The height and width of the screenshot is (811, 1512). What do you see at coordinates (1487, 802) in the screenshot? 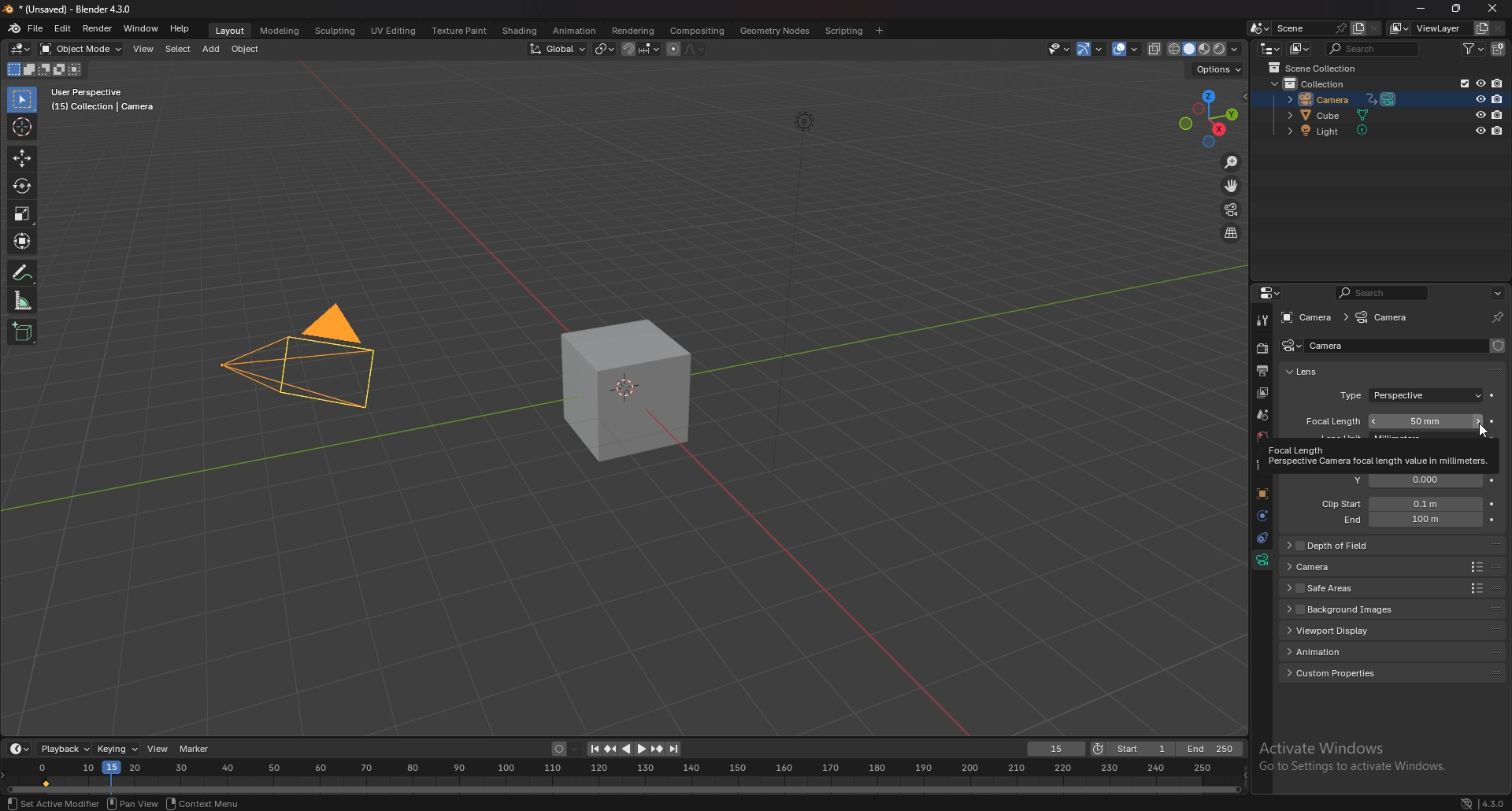
I see `` at bounding box center [1487, 802].